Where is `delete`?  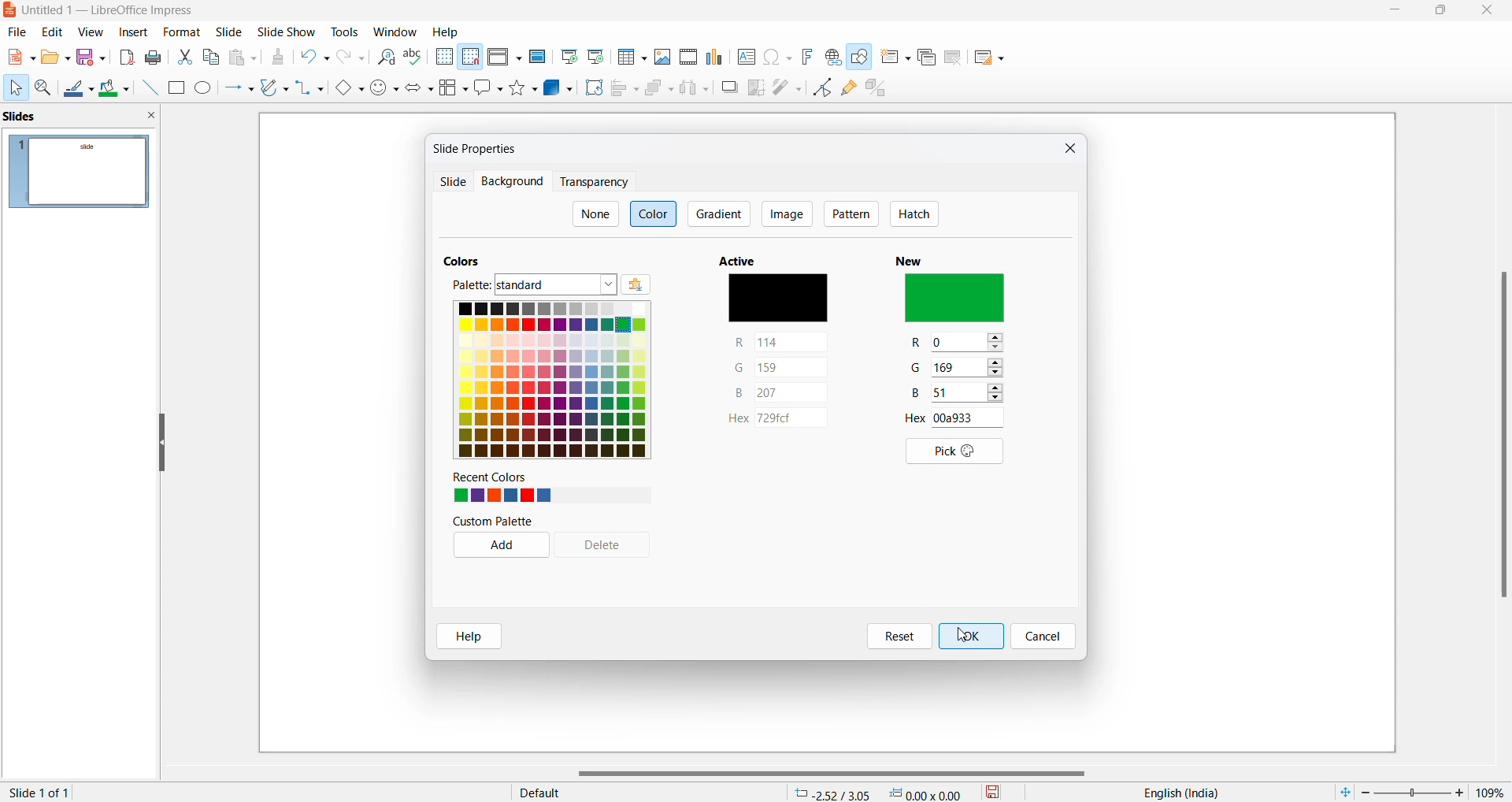 delete is located at coordinates (610, 547).